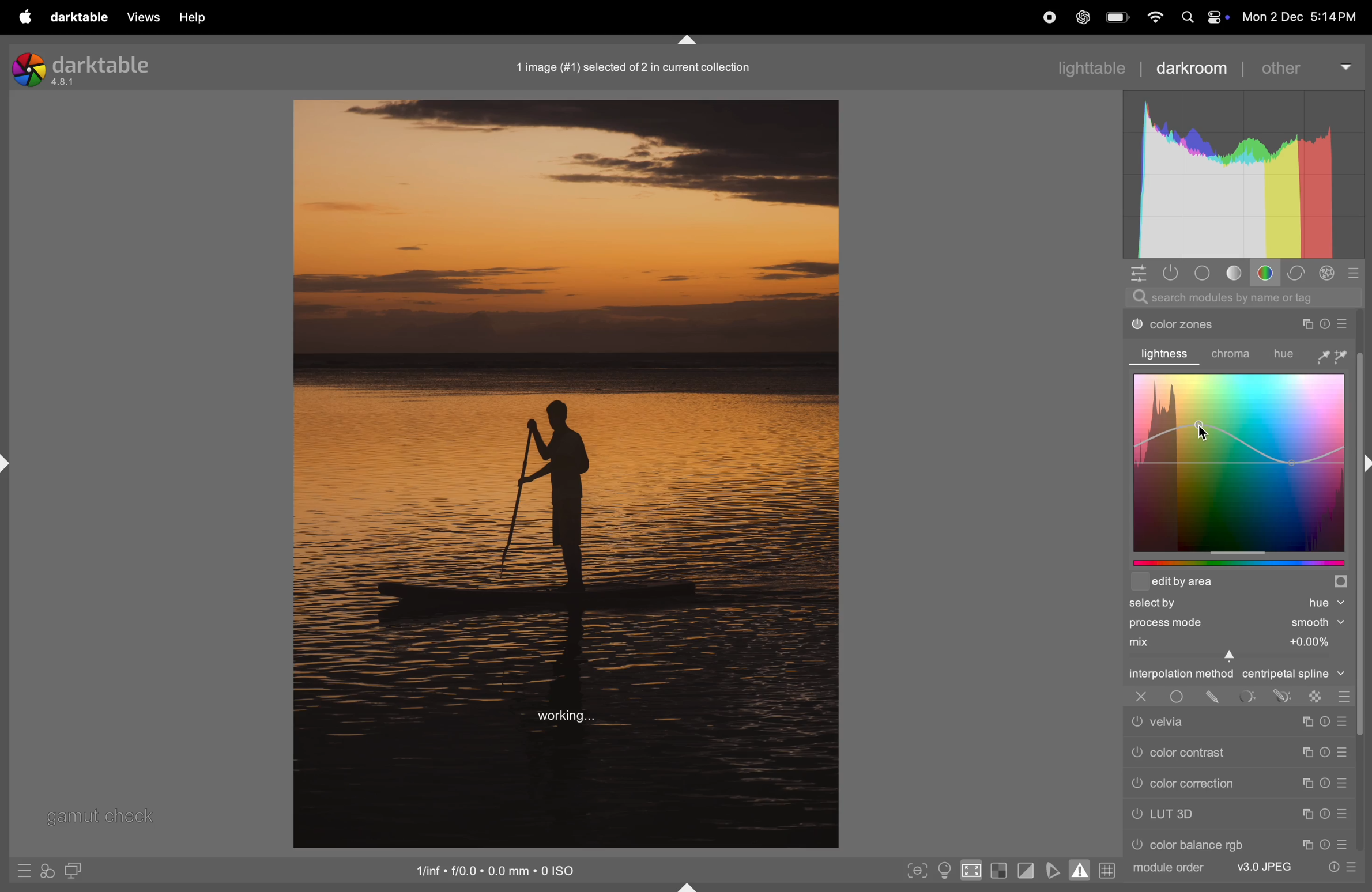 This screenshot has height=892, width=1372. Describe the element at coordinates (1208, 429) in the screenshot. I see `cursor` at that location.